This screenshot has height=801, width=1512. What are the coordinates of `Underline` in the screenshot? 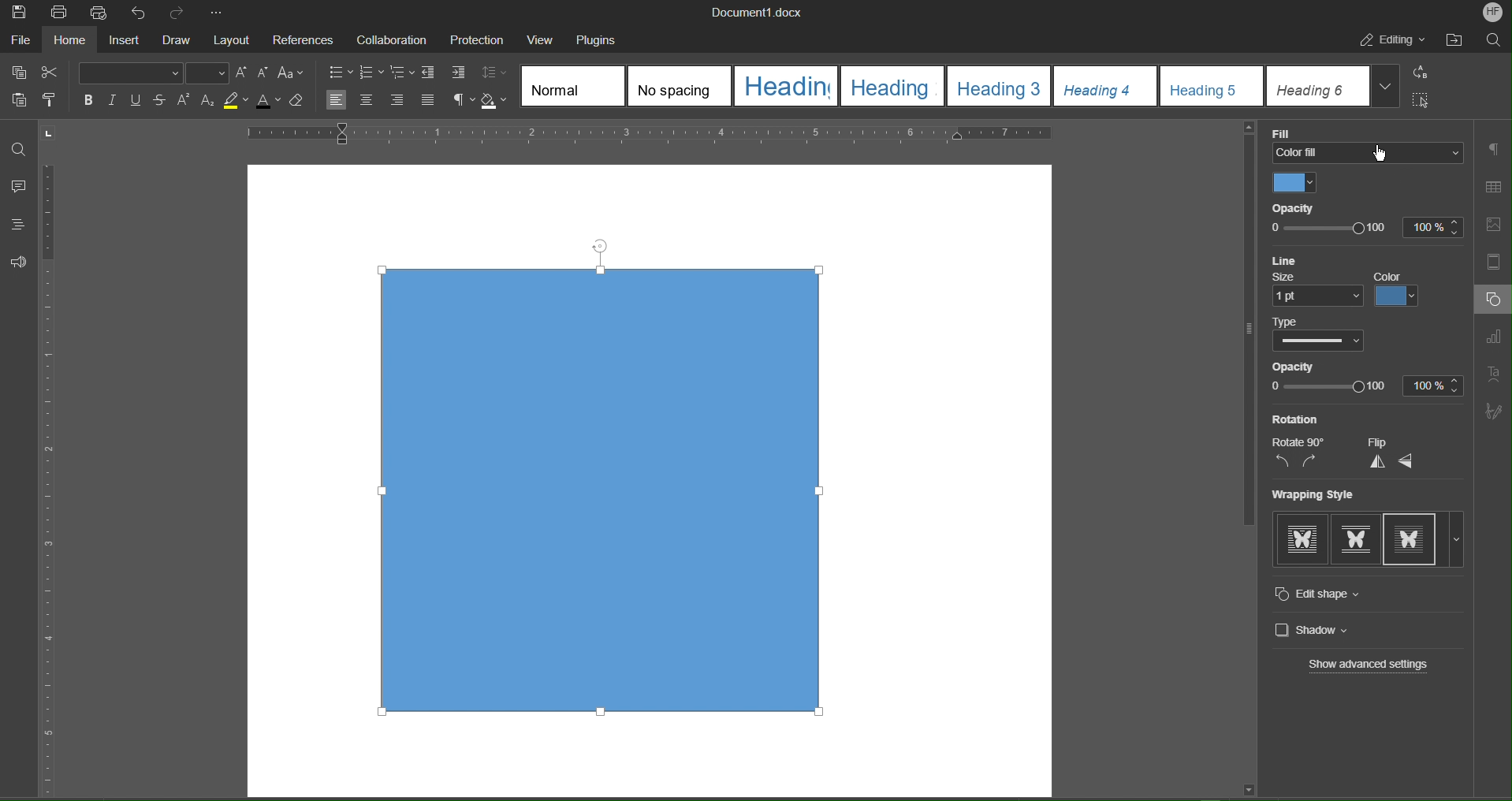 It's located at (140, 100).